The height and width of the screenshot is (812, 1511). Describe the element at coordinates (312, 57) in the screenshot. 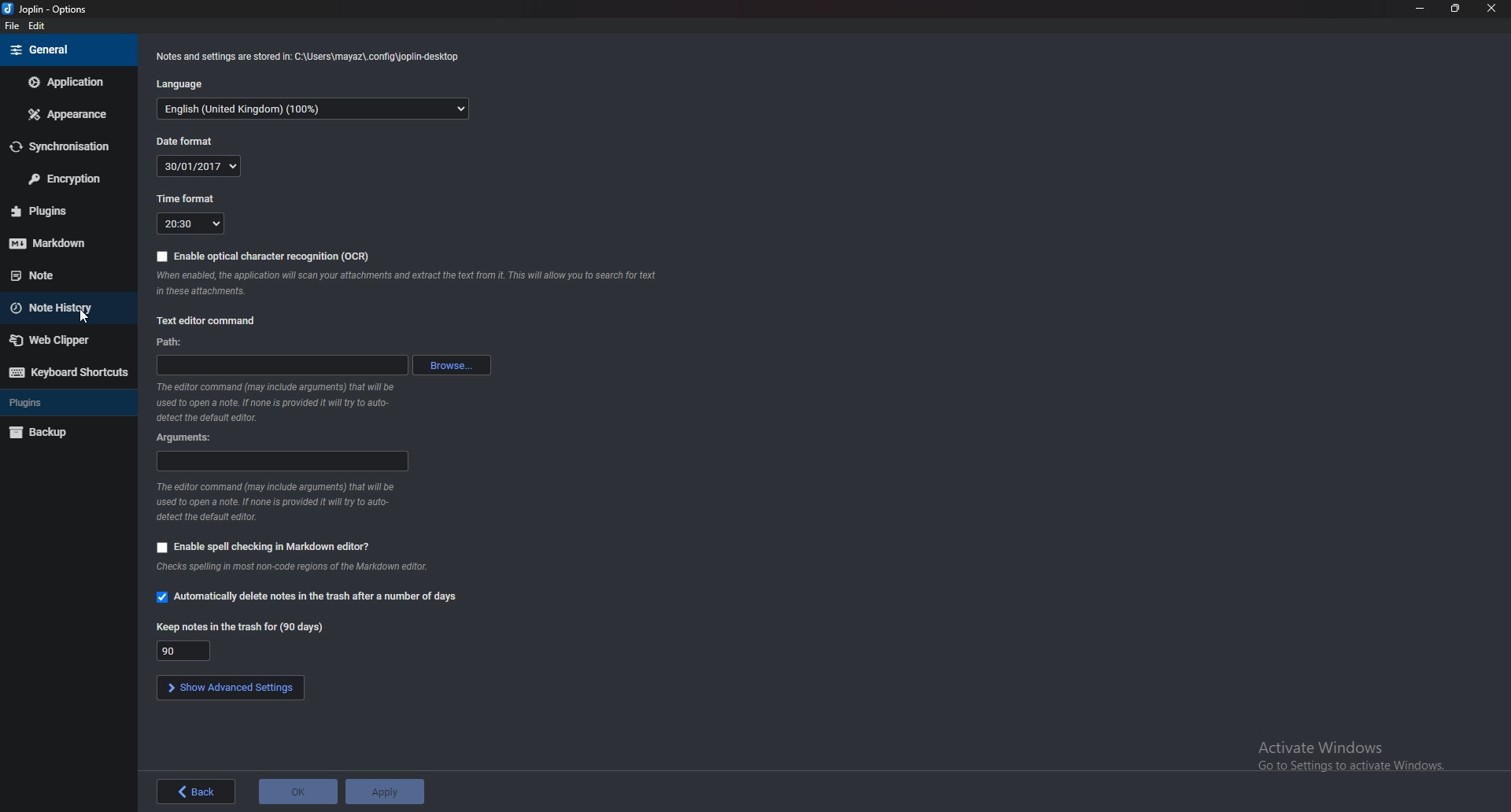

I see `Info` at that location.